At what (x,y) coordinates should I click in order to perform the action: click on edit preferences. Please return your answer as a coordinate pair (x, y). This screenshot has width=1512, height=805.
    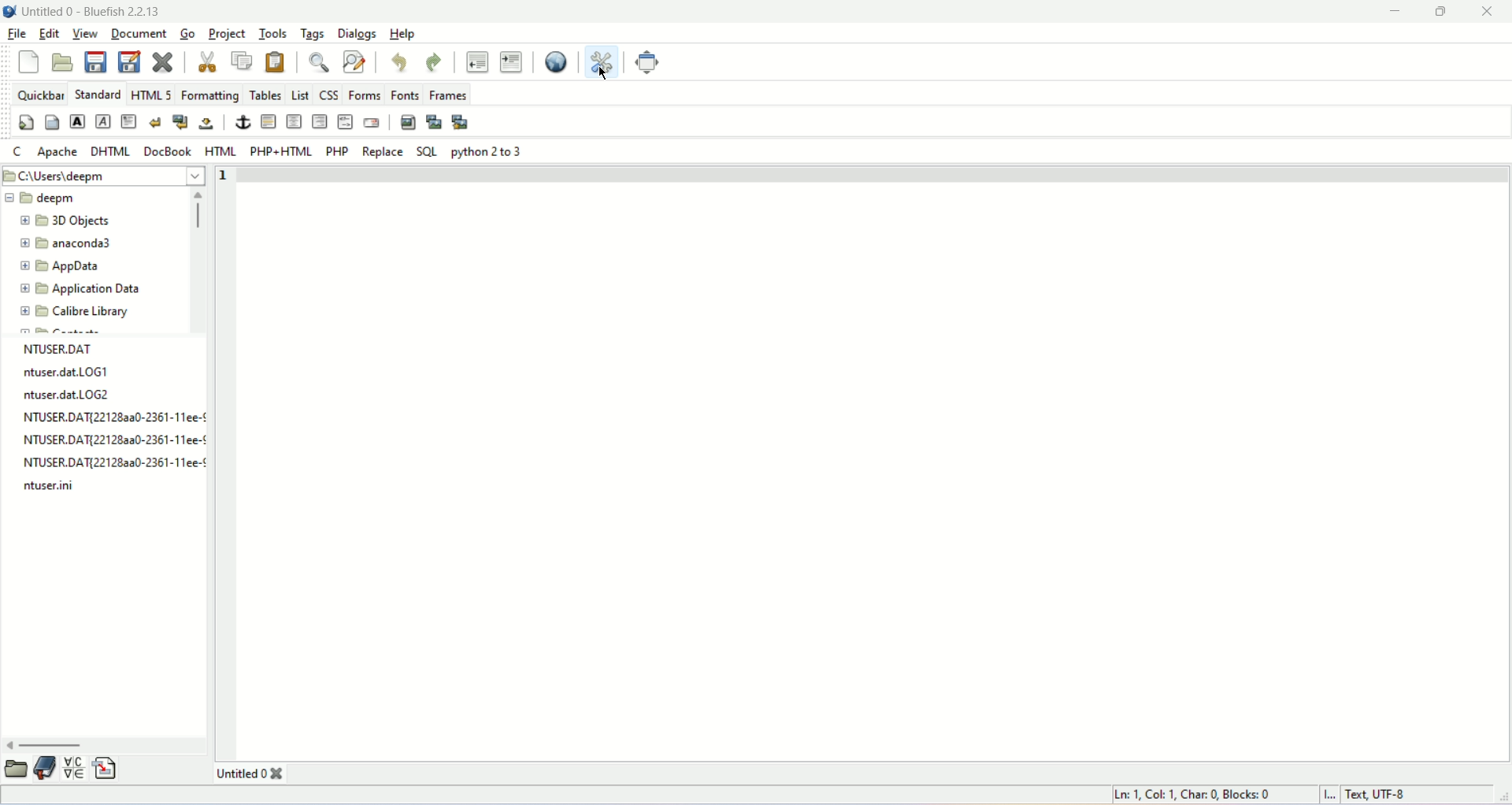
    Looking at the image, I should click on (603, 61).